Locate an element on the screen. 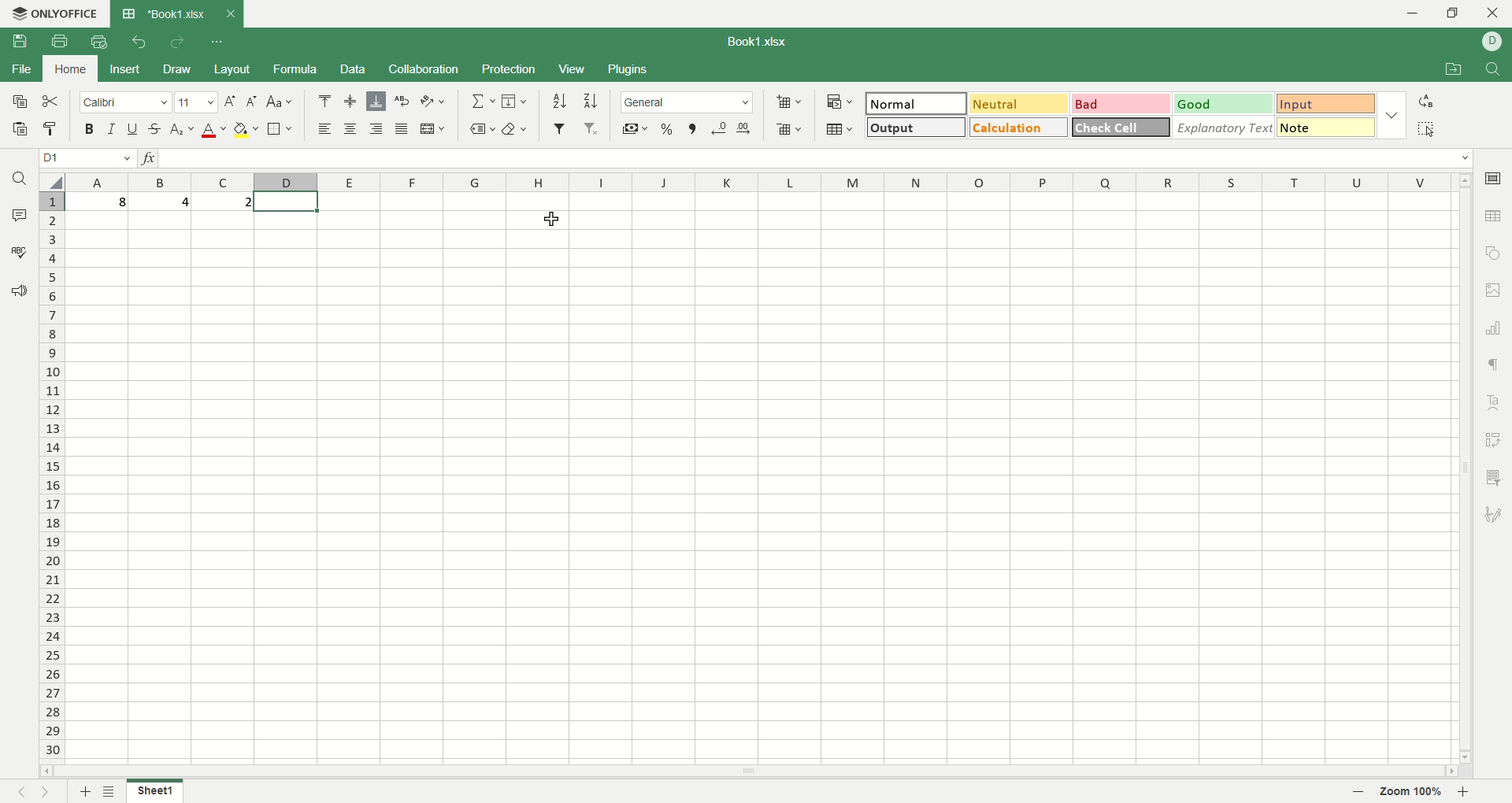 The image size is (1512, 803). quick print is located at coordinates (97, 42).